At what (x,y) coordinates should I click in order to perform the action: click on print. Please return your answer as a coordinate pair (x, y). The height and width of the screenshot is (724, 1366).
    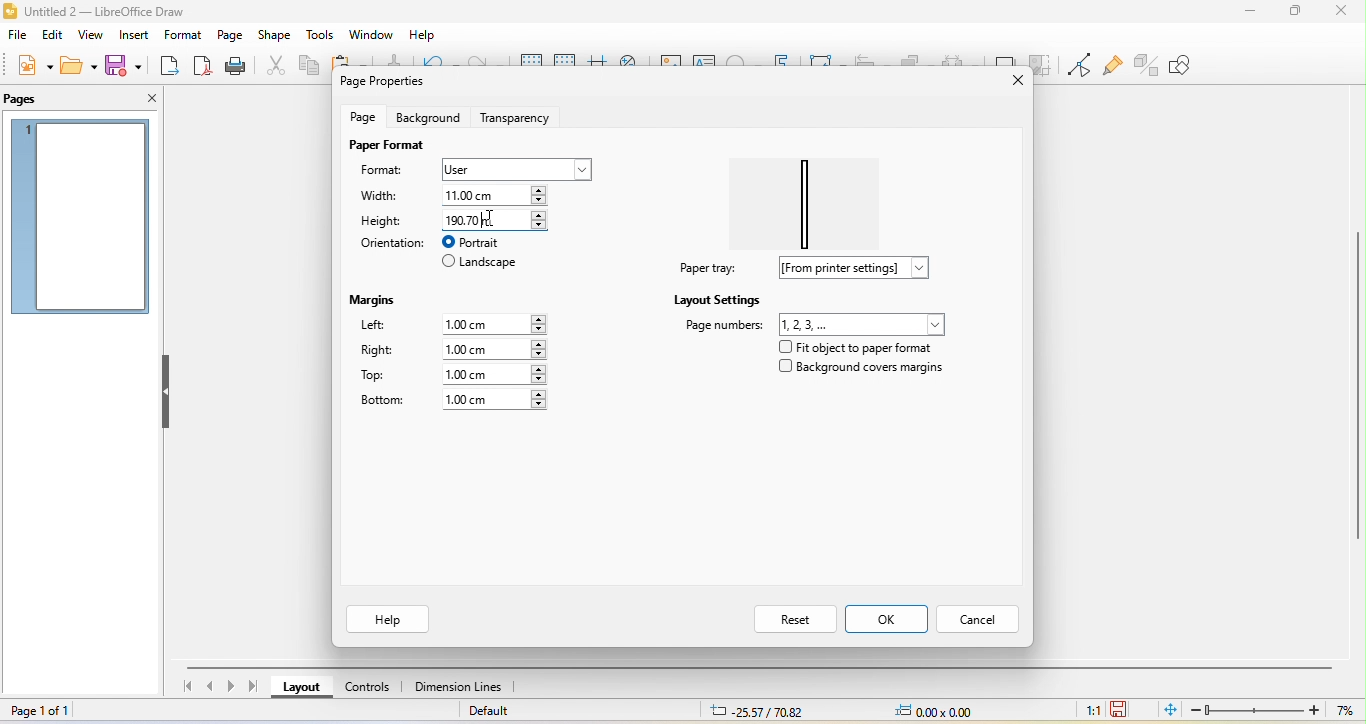
    Looking at the image, I should click on (234, 67).